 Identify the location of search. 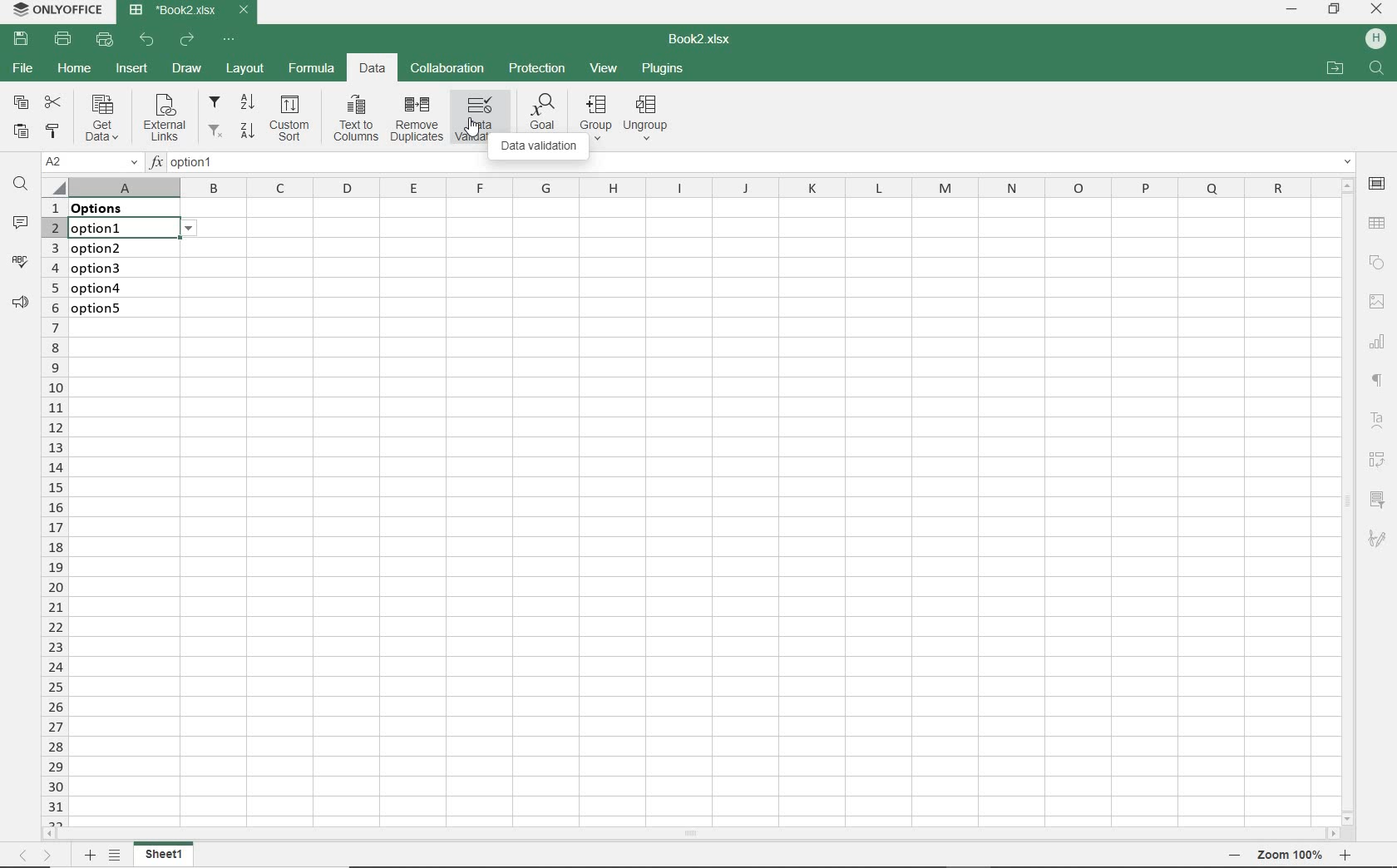
(1378, 70).